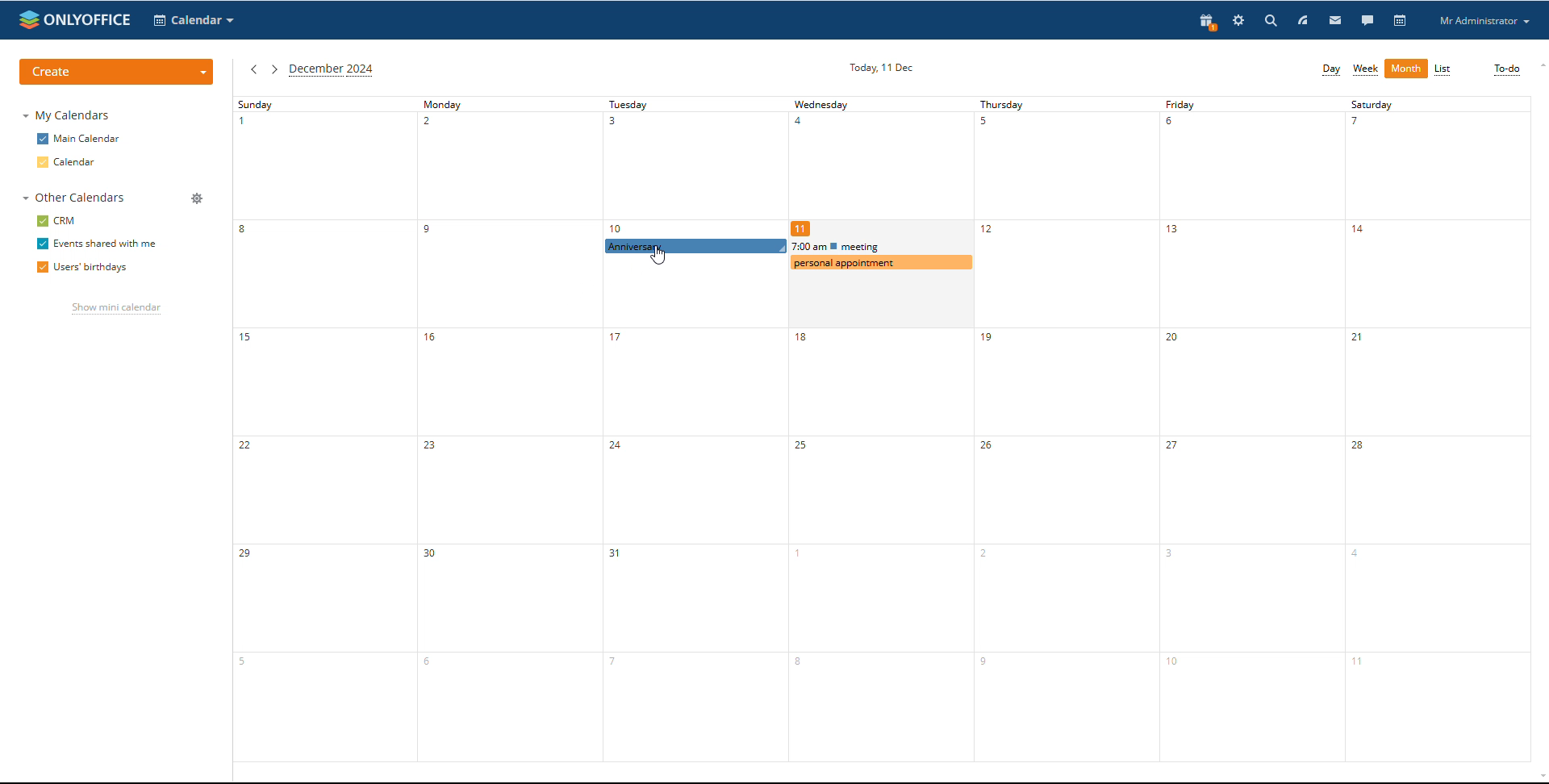 This screenshot has height=784, width=1549. I want to click on settings, so click(1239, 21).